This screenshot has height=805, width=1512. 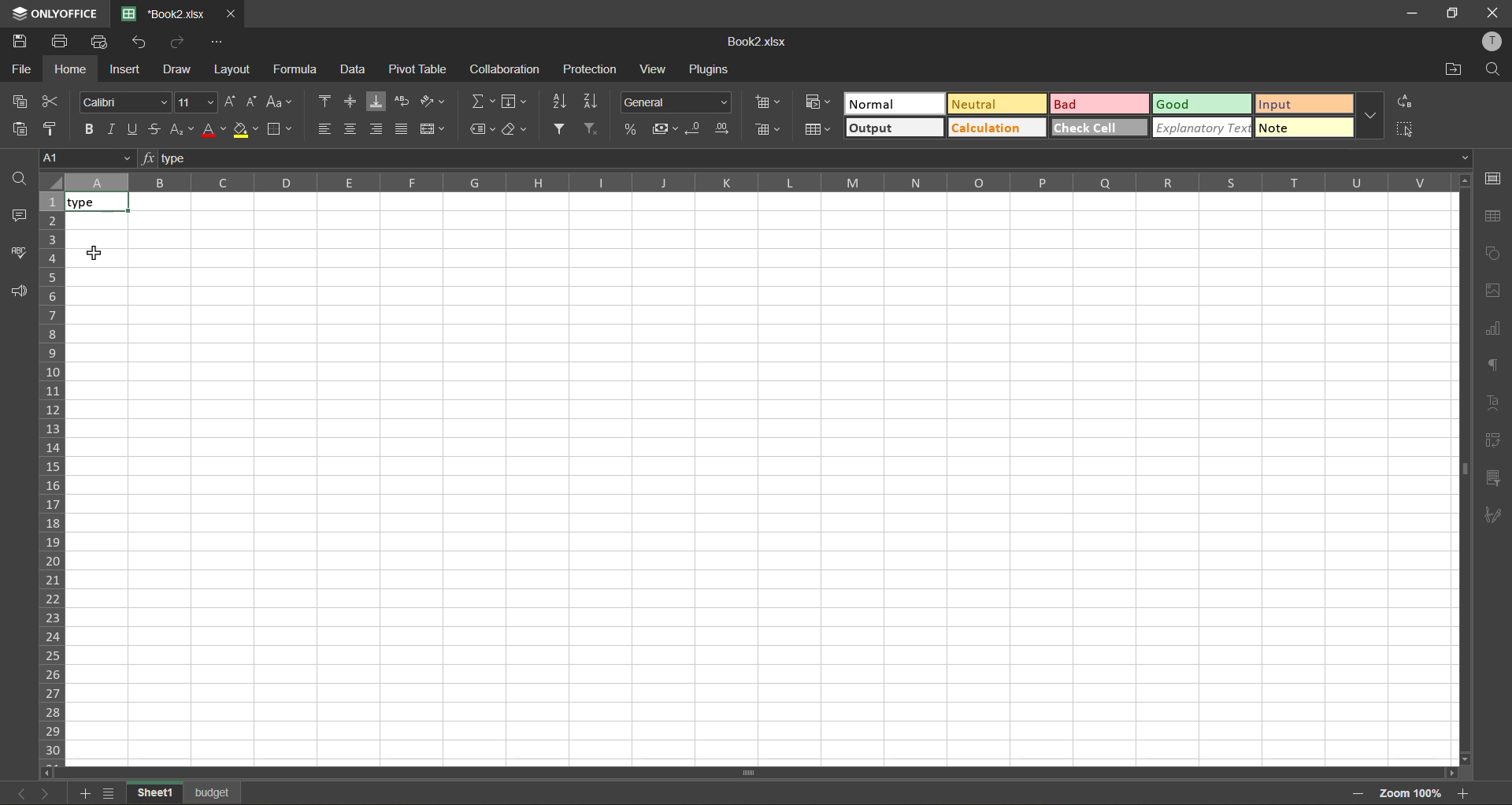 What do you see at coordinates (17, 253) in the screenshot?
I see `spellcheck` at bounding box center [17, 253].